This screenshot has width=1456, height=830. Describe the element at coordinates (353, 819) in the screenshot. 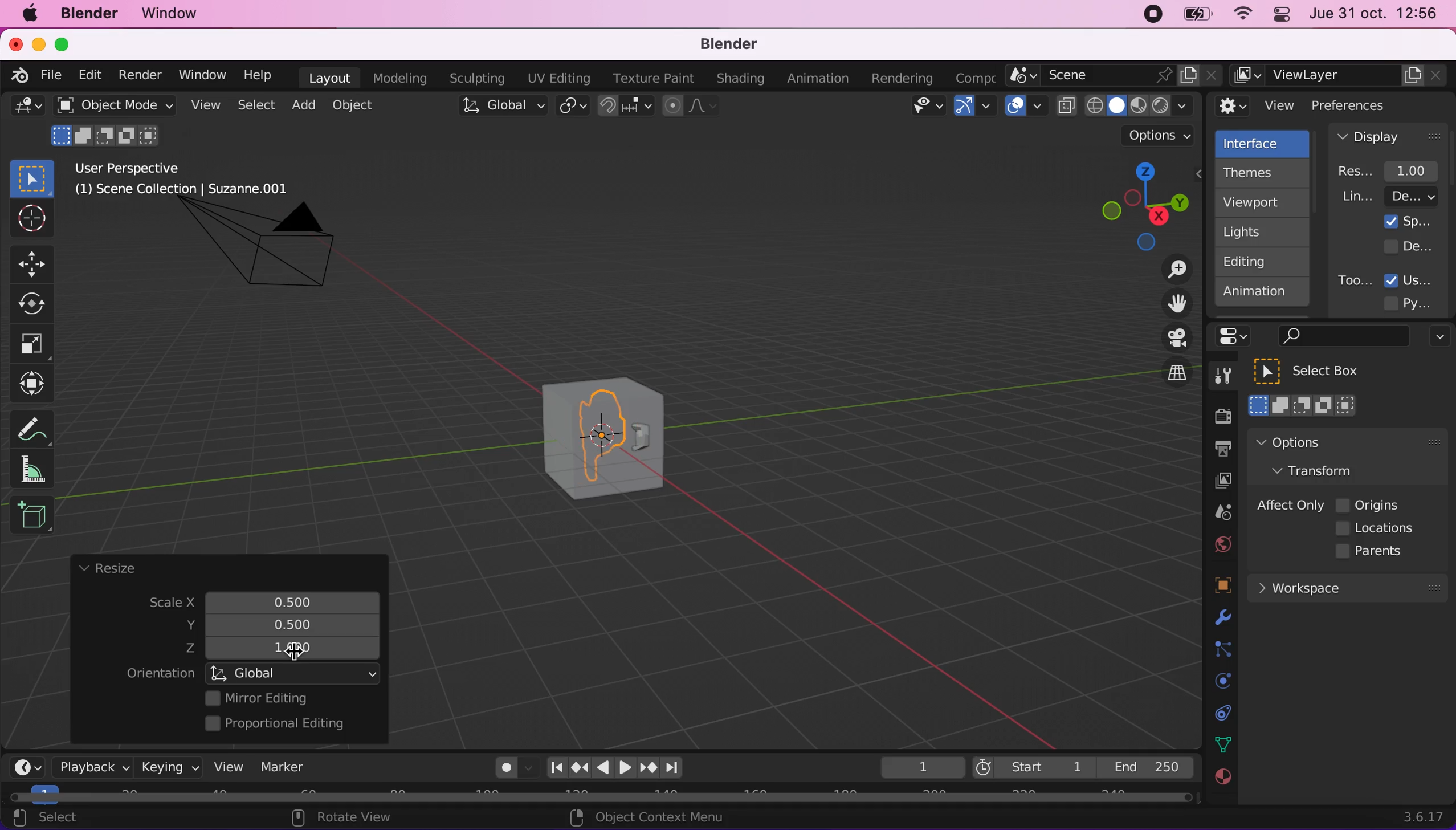

I see `rotate view` at that location.